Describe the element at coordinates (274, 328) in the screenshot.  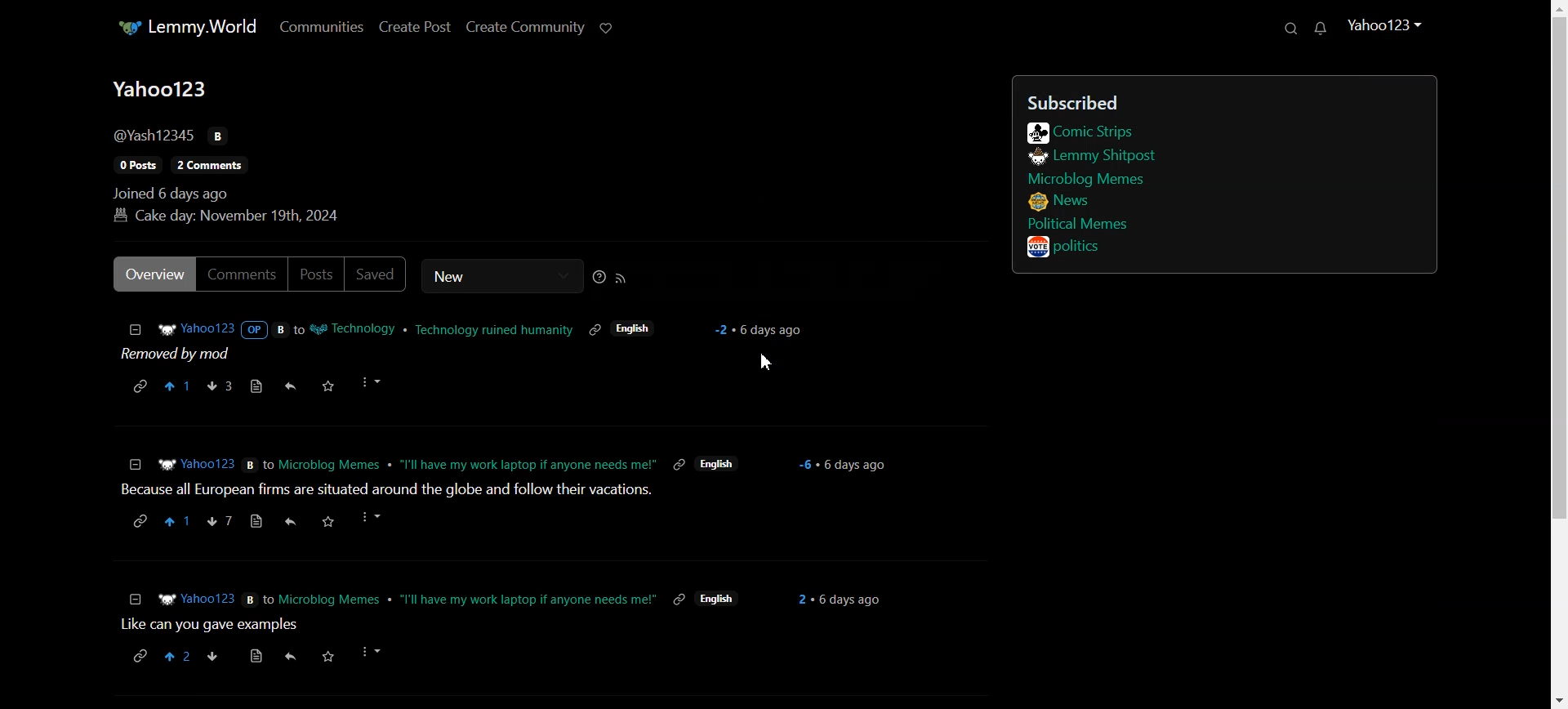
I see `op b to` at that location.